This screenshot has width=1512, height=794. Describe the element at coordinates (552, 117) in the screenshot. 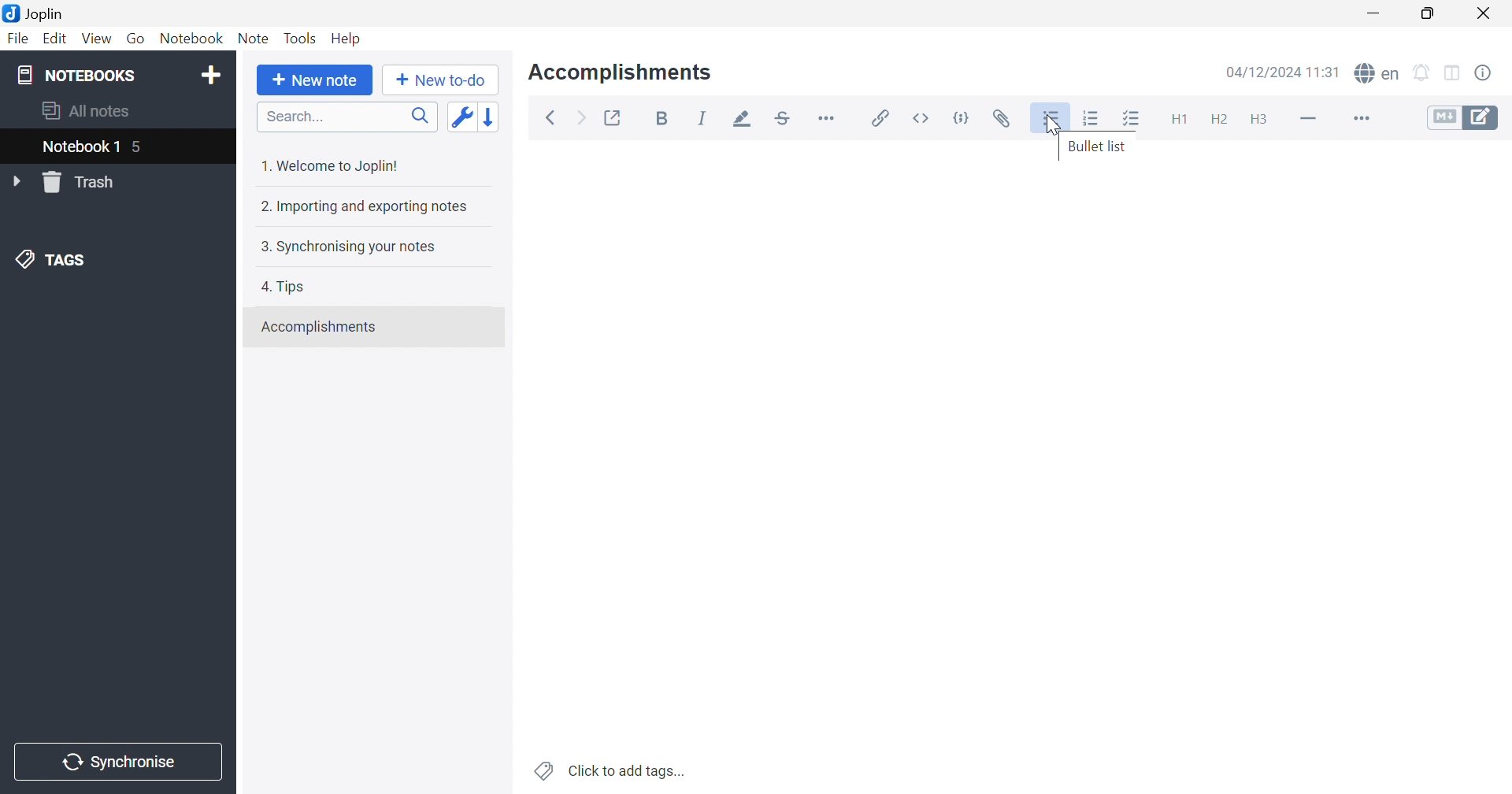

I see `Back` at that location.